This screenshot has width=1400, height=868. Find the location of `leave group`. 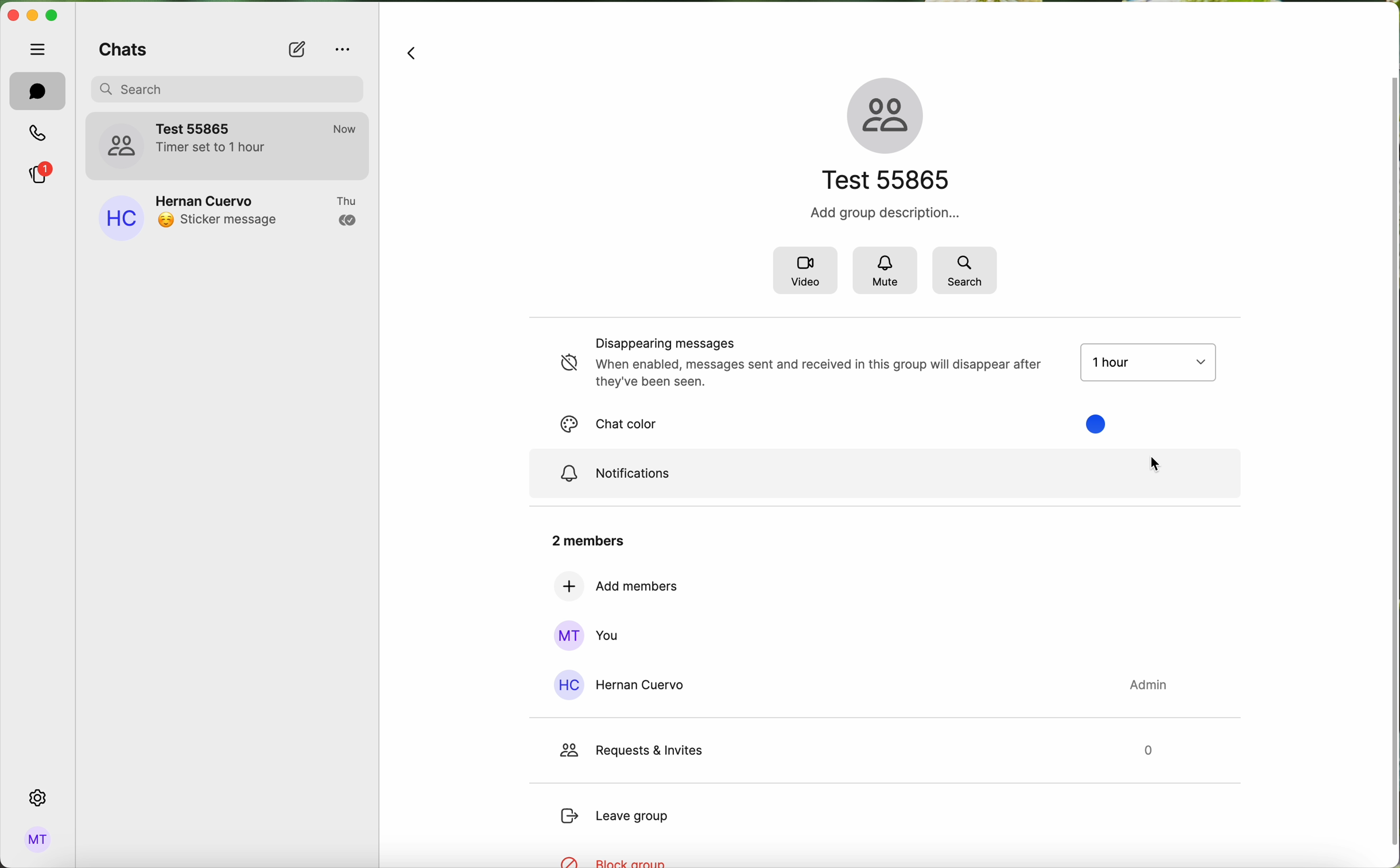

leave group is located at coordinates (614, 815).